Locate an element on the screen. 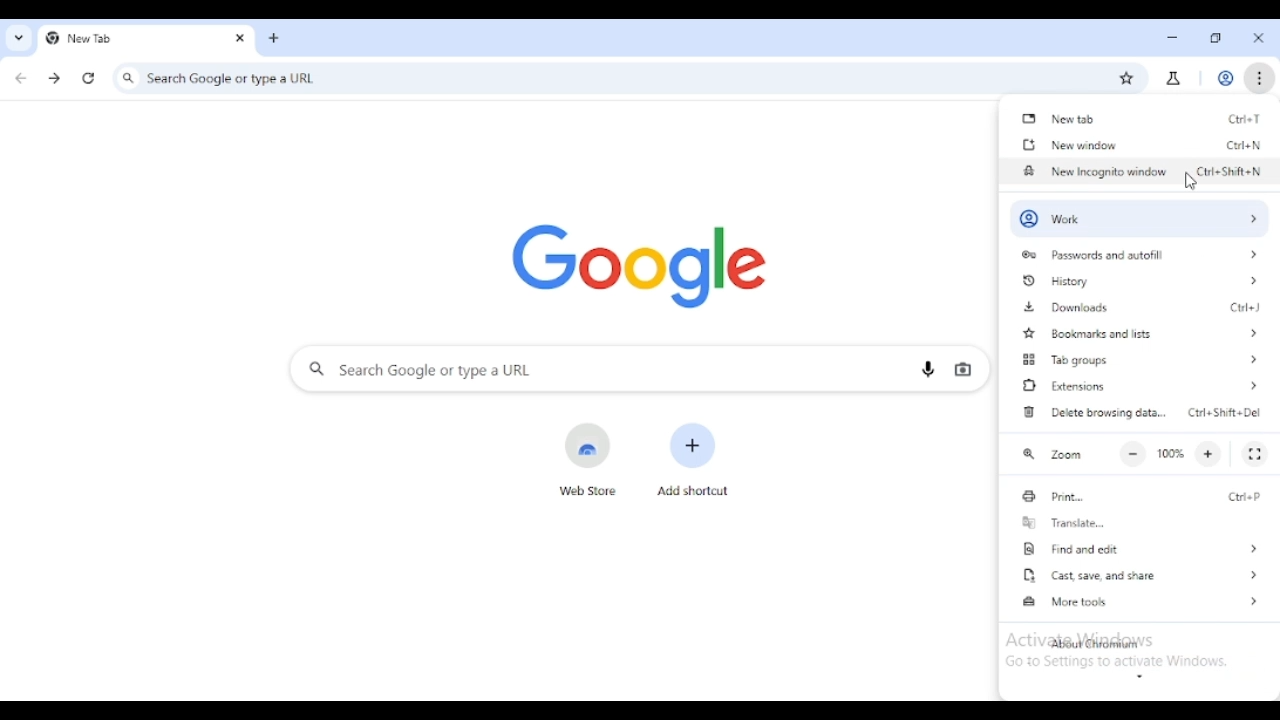 The height and width of the screenshot is (720, 1280). search labs is located at coordinates (1173, 80).